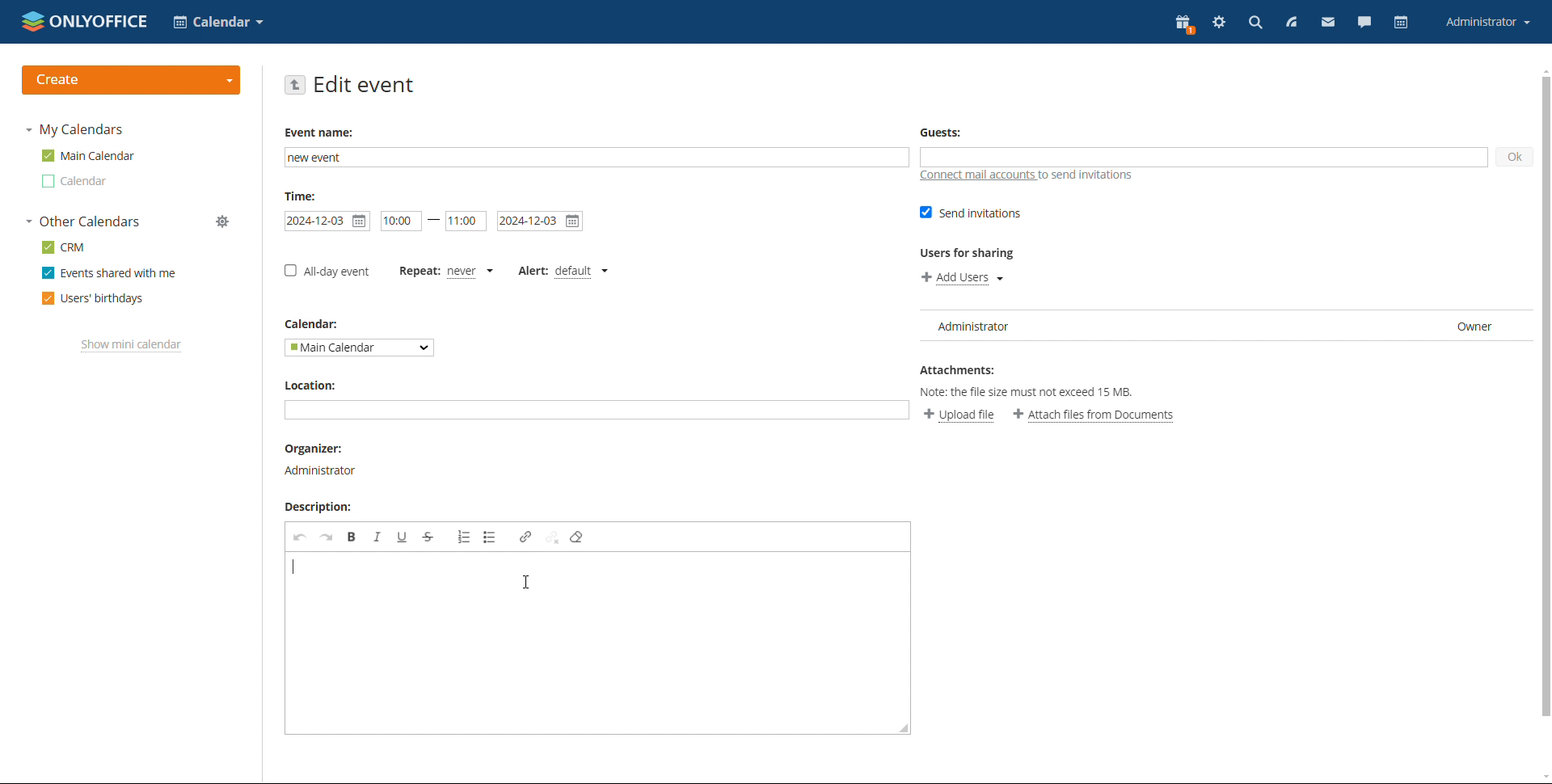 The width and height of the screenshot is (1552, 784). I want to click on underline, so click(403, 537).